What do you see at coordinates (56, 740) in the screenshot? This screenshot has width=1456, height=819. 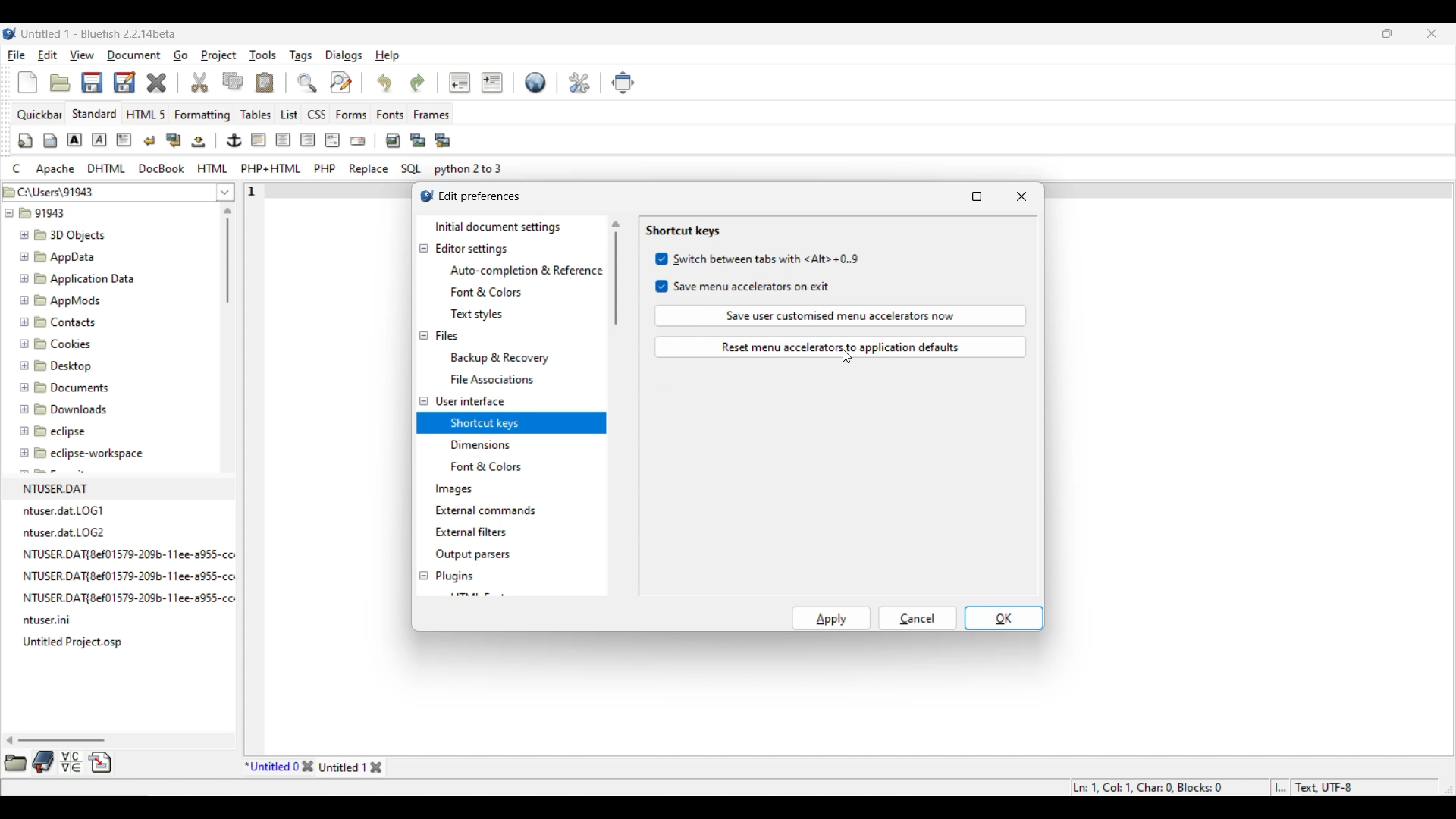 I see `Horizontal slide bar` at bounding box center [56, 740].